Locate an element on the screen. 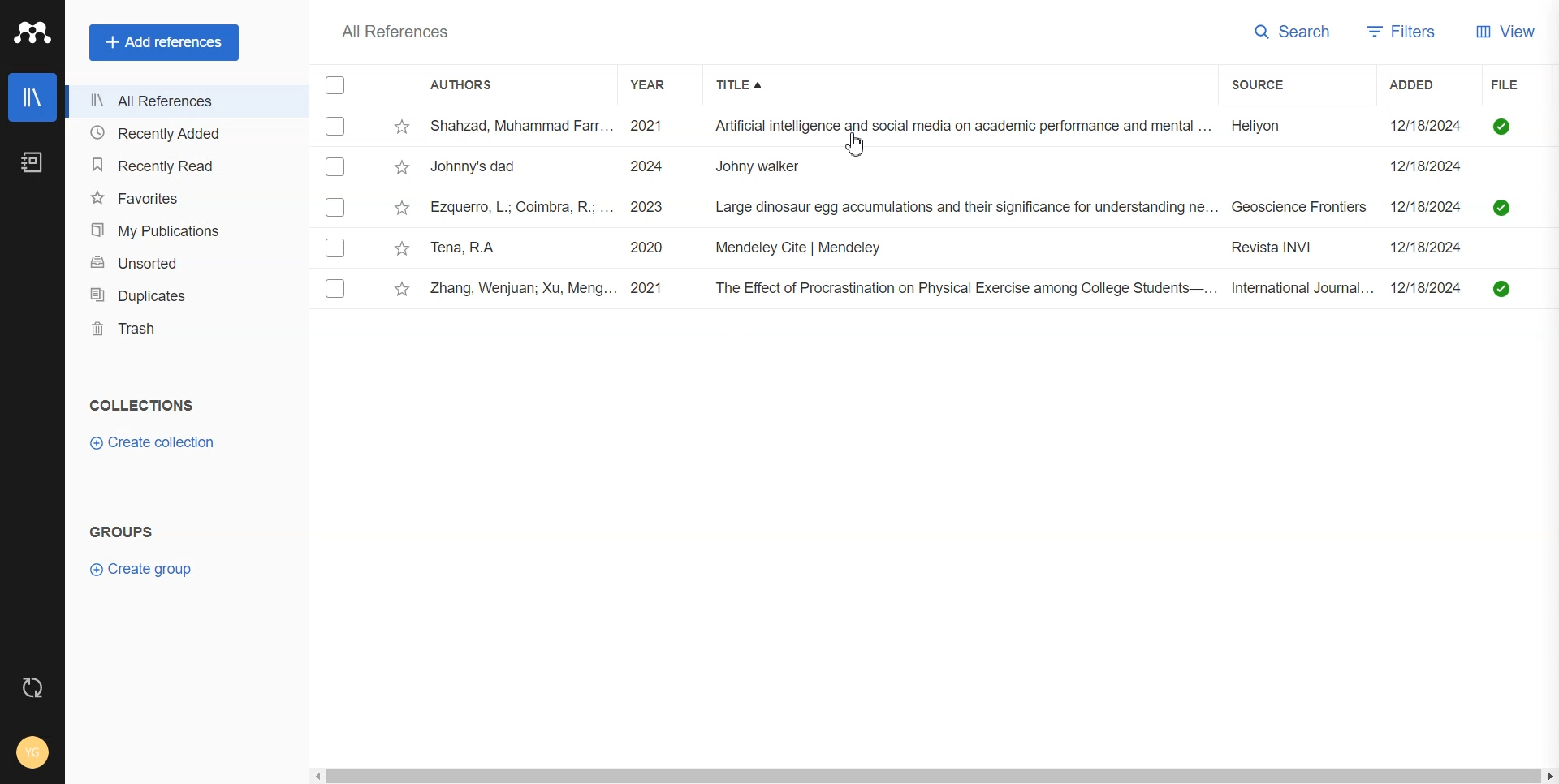 Image resolution: width=1559 pixels, height=784 pixels. Added is located at coordinates (1424, 84).